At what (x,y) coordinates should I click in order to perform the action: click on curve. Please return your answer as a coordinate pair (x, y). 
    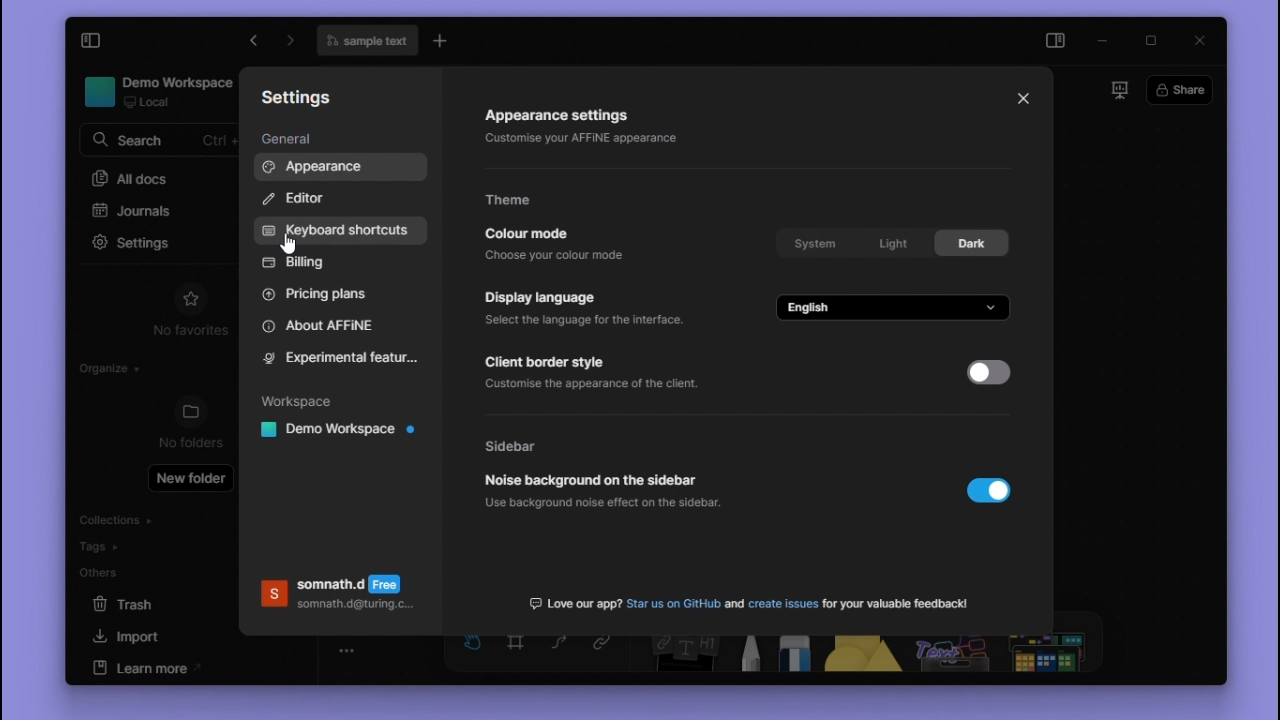
    Looking at the image, I should click on (563, 653).